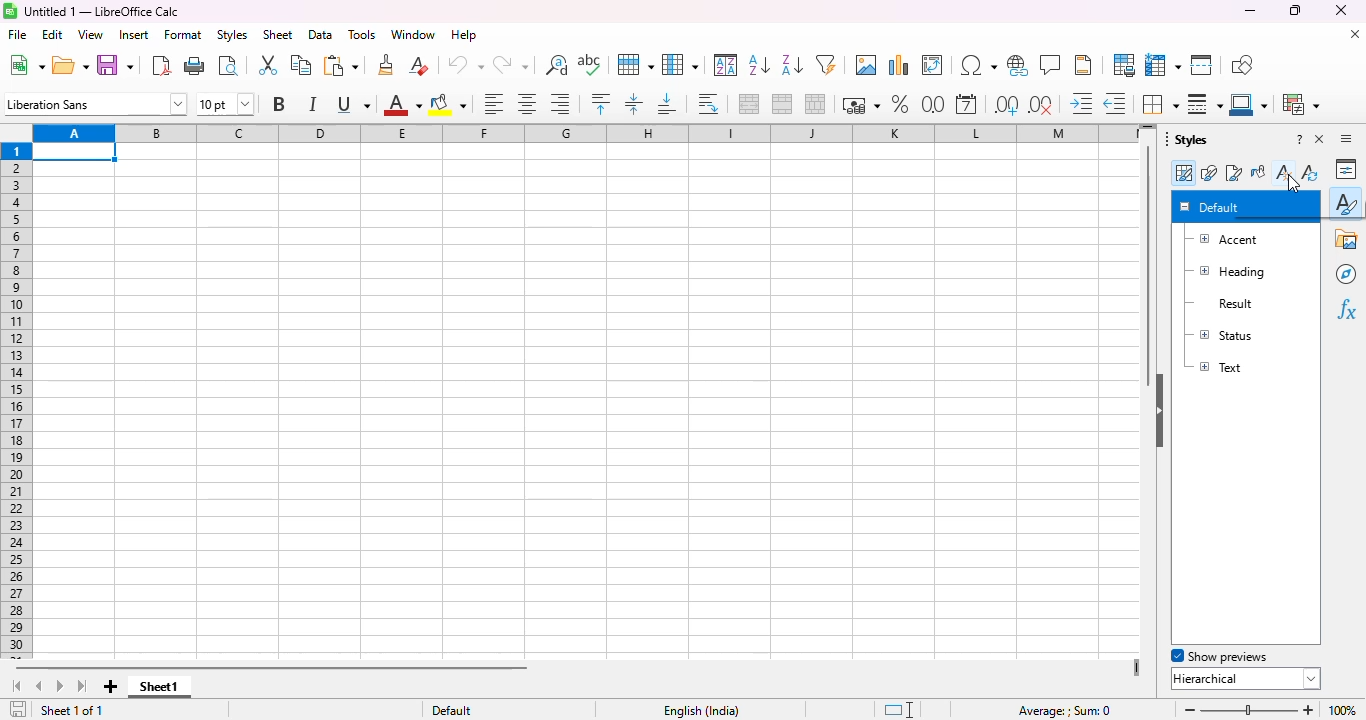 The height and width of the screenshot is (720, 1366). What do you see at coordinates (1296, 10) in the screenshot?
I see `maximize` at bounding box center [1296, 10].